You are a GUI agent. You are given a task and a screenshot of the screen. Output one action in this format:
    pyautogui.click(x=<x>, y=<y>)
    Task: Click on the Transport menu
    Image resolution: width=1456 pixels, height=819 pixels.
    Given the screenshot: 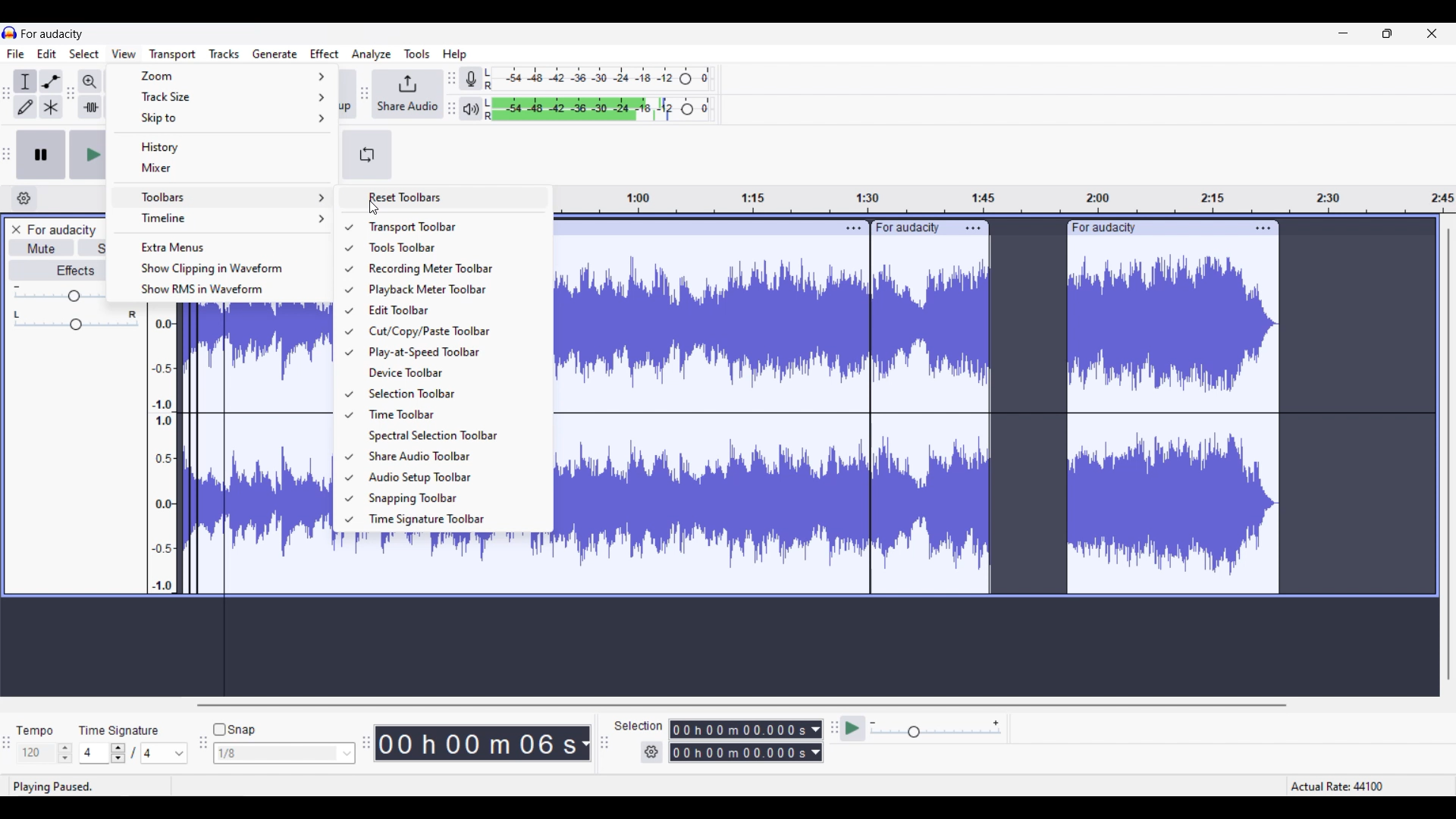 What is the action you would take?
    pyautogui.click(x=172, y=55)
    